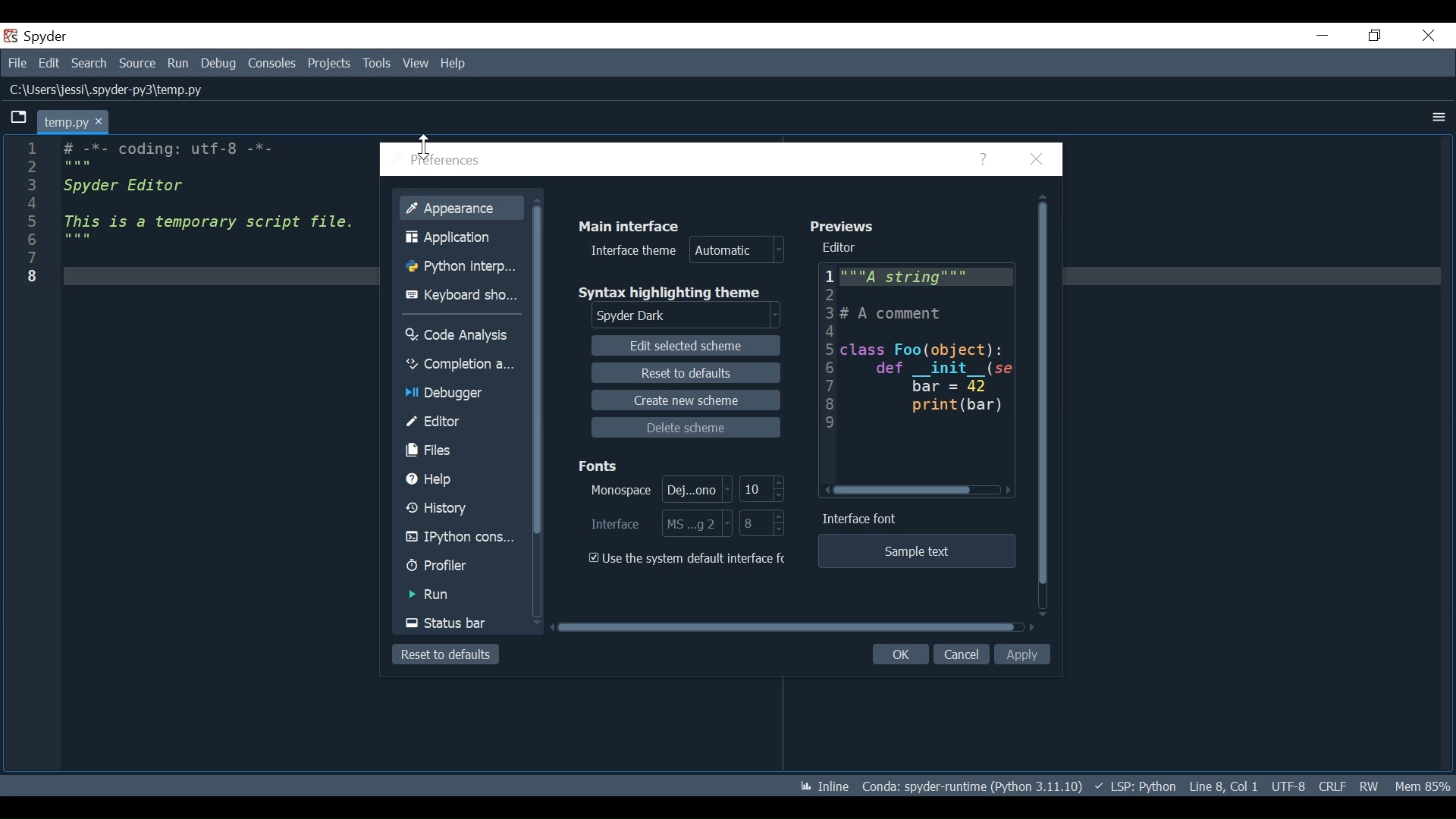 Image resolution: width=1456 pixels, height=819 pixels. Describe the element at coordinates (462, 266) in the screenshot. I see `Python Interpreter` at that location.